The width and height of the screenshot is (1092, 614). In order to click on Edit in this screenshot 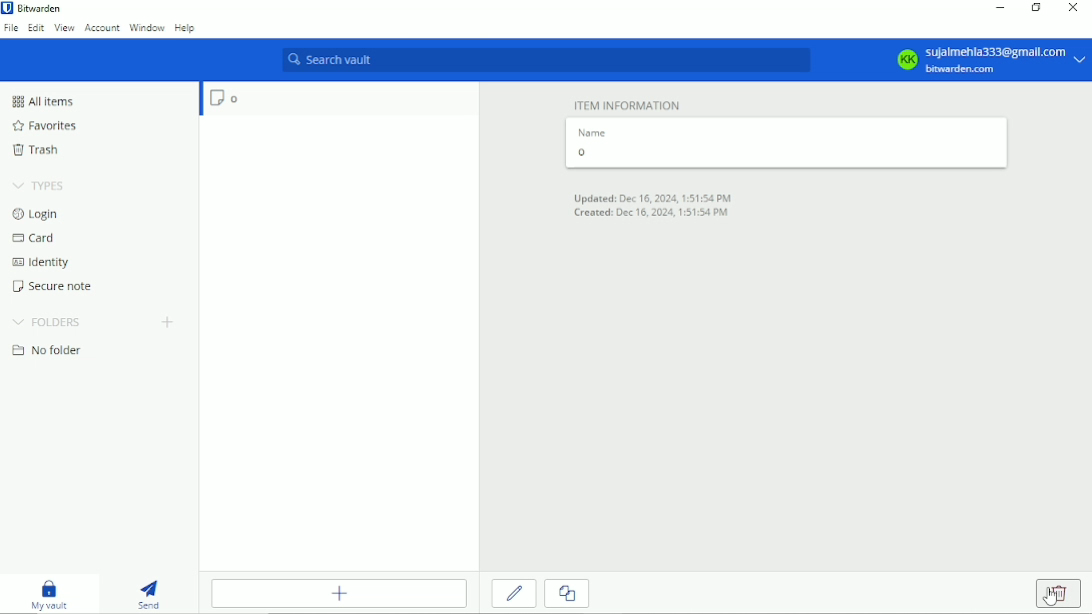, I will do `click(514, 595)`.